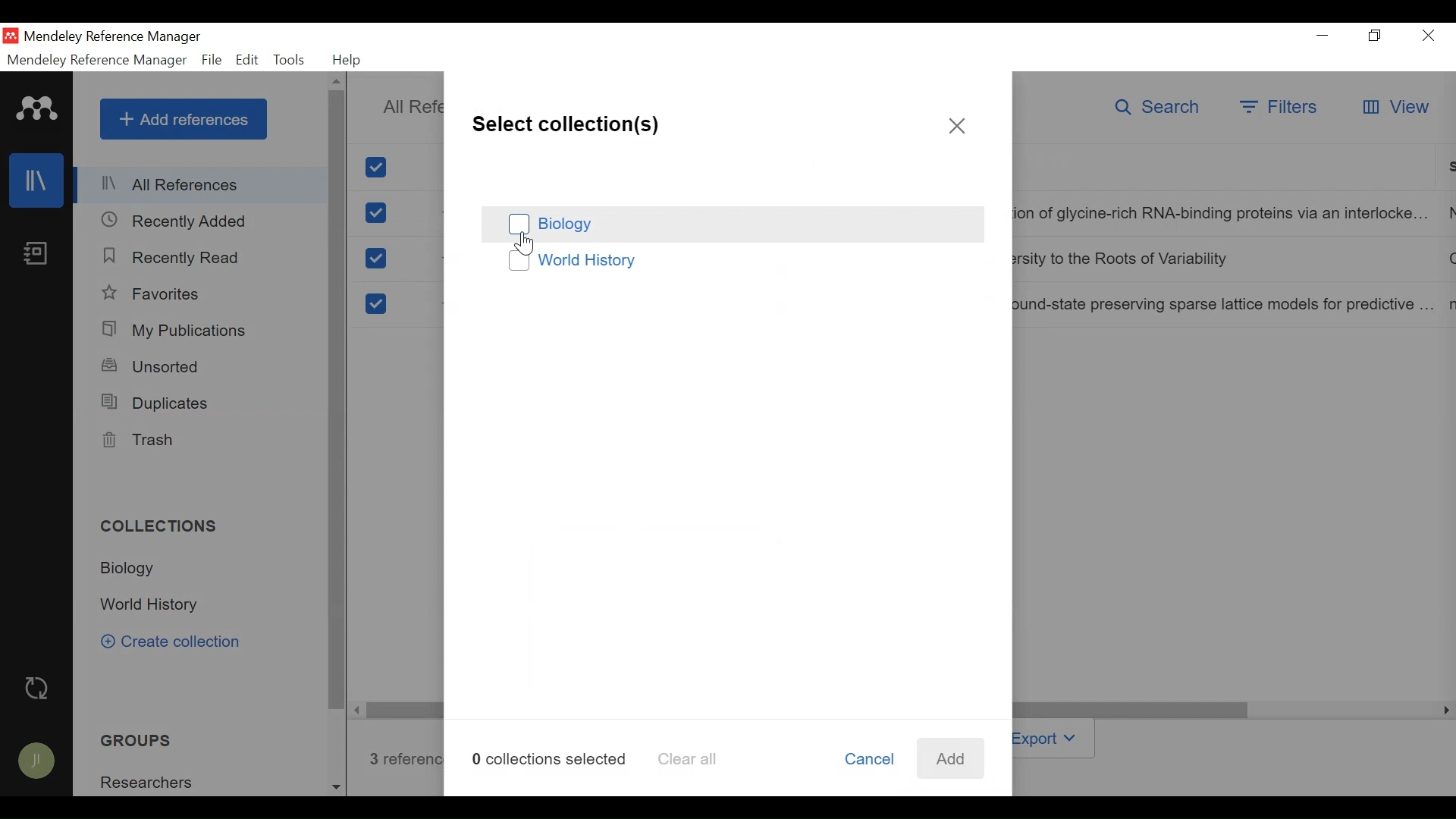 The image size is (1456, 819). What do you see at coordinates (378, 168) in the screenshot?
I see `(un)Select all` at bounding box center [378, 168].